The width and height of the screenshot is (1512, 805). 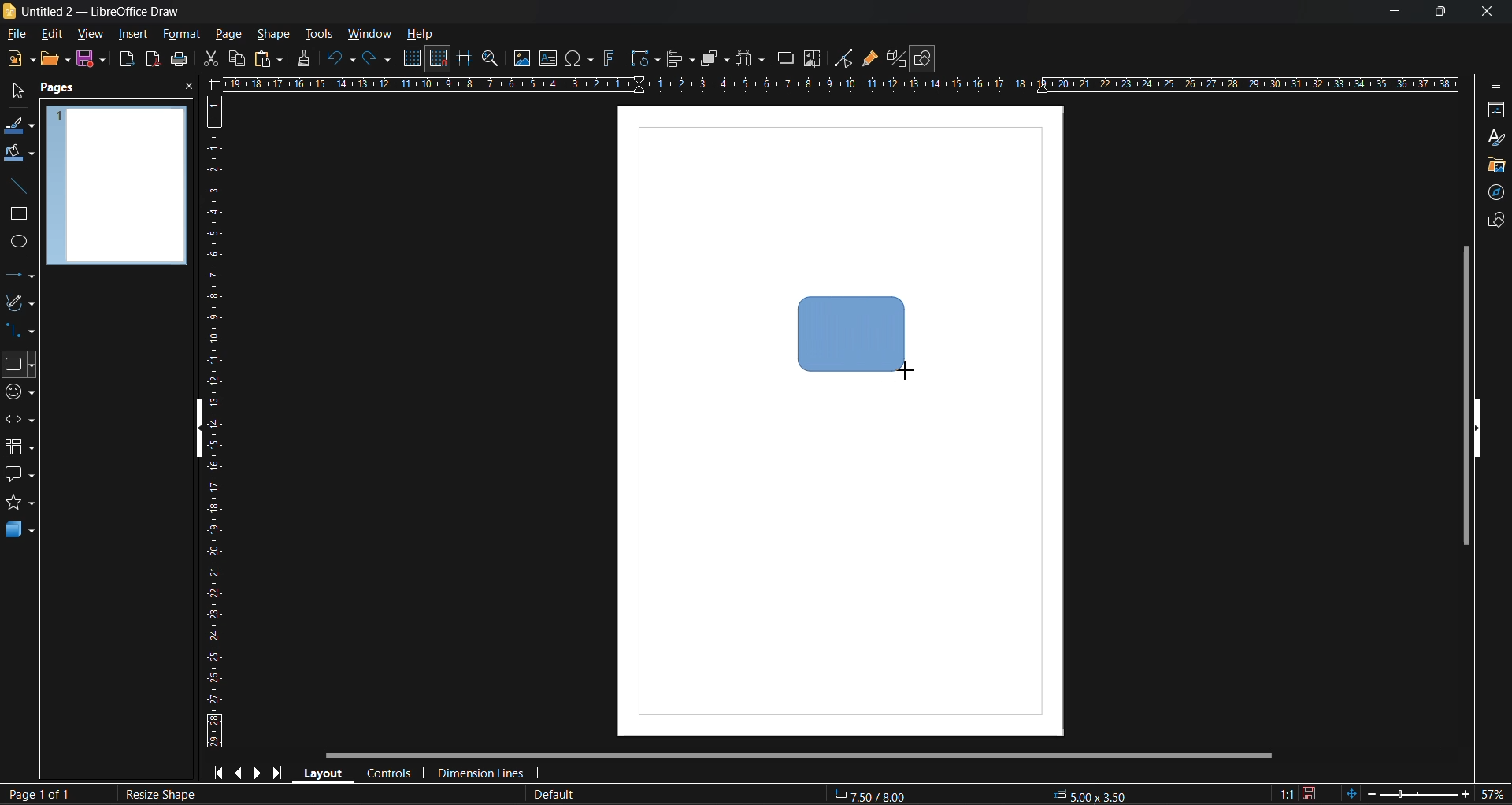 I want to click on click to save, so click(x=1311, y=794).